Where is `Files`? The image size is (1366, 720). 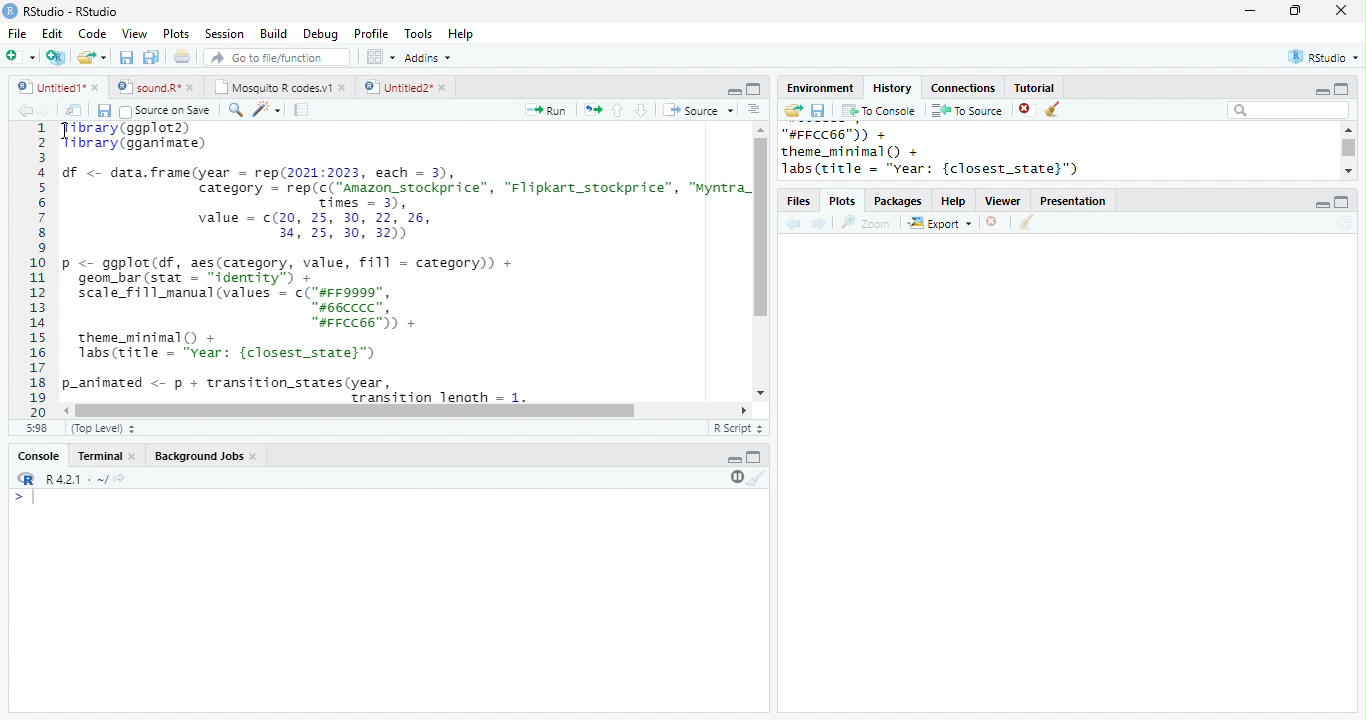
Files is located at coordinates (798, 201).